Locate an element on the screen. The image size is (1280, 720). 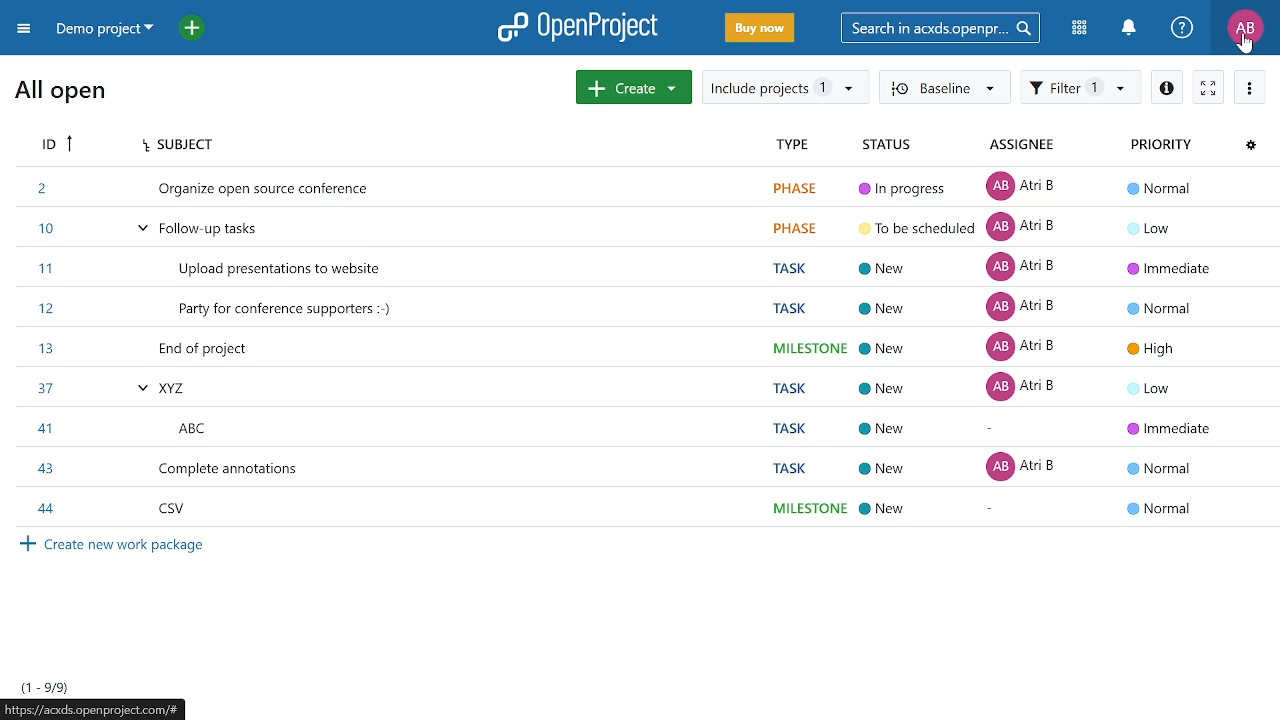
Open project logo is located at coordinates (578, 27).